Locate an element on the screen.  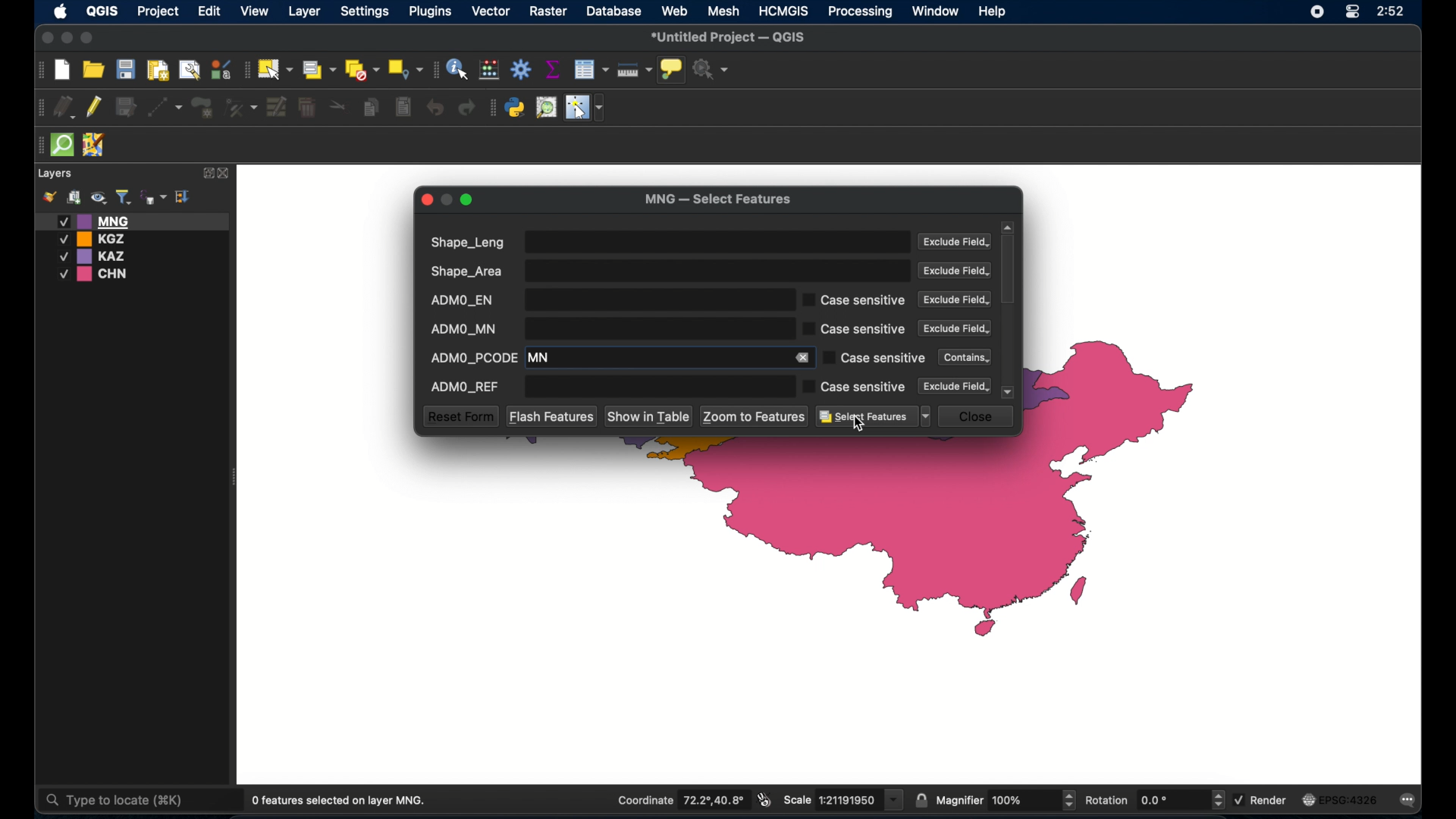
QGIS is located at coordinates (101, 14).